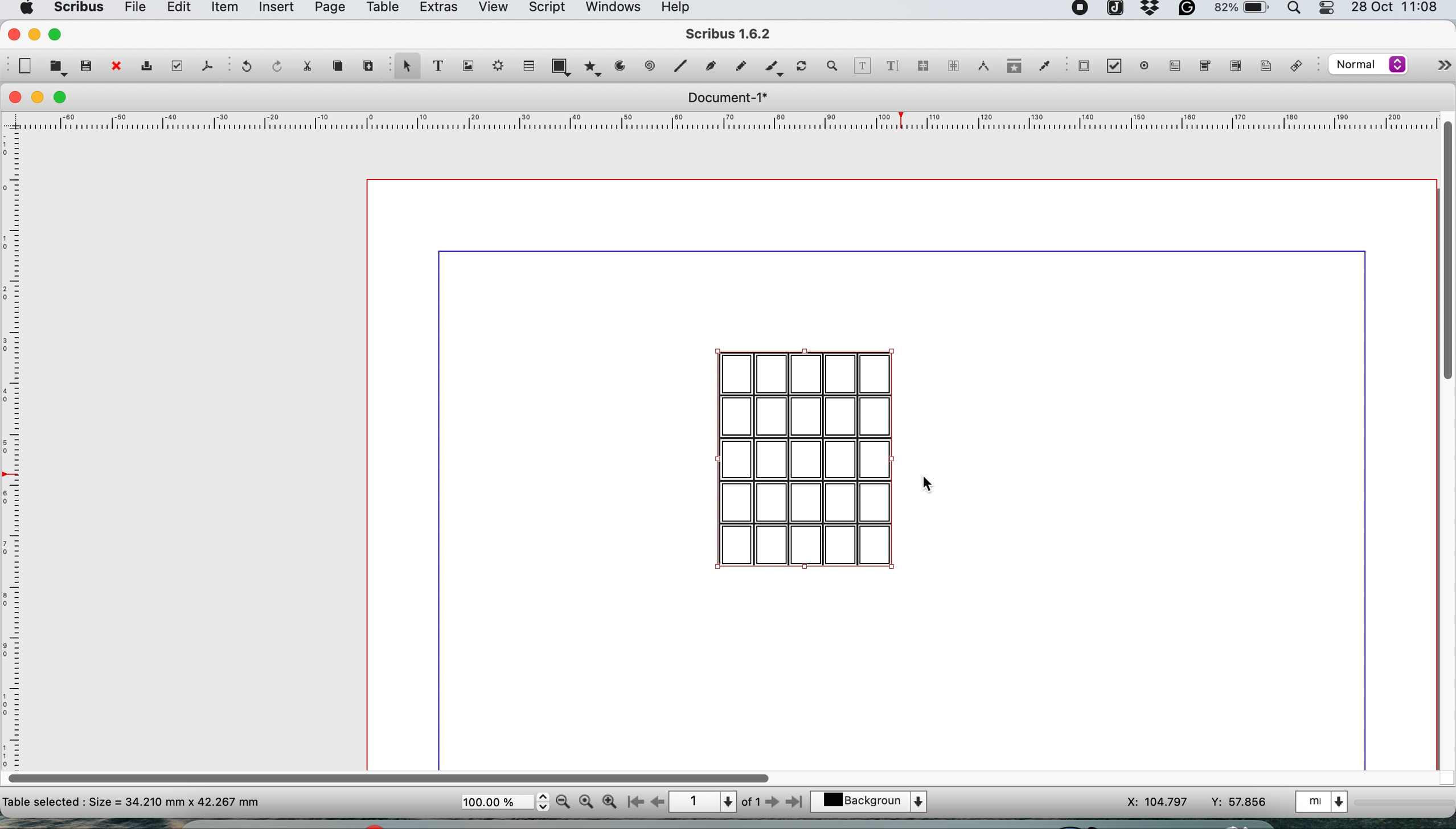 The height and width of the screenshot is (829, 1456). Describe the element at coordinates (340, 66) in the screenshot. I see `copy` at that location.